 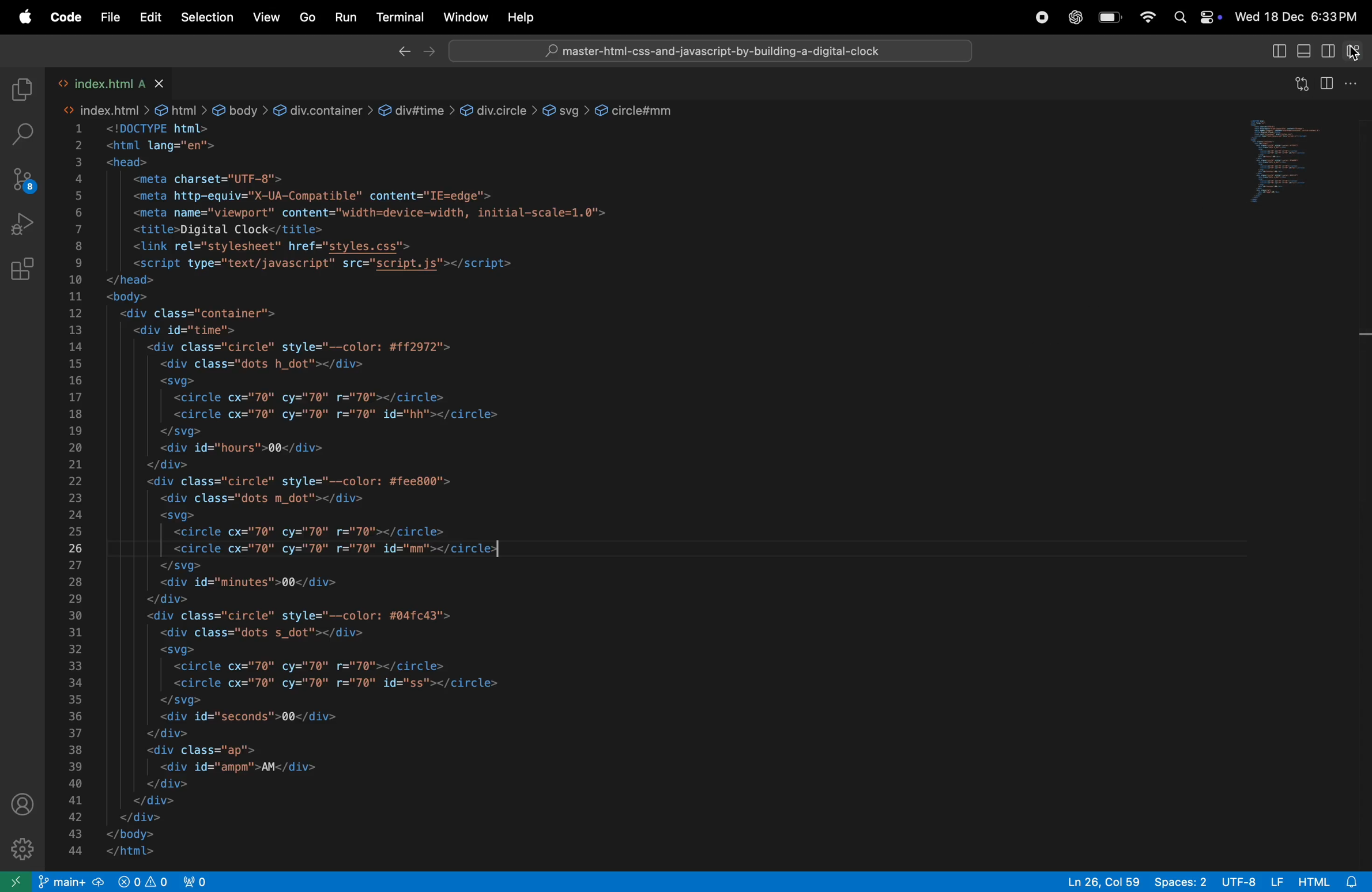 What do you see at coordinates (1299, 14) in the screenshot?
I see `Wed 18 Dec 6:33PM` at bounding box center [1299, 14].